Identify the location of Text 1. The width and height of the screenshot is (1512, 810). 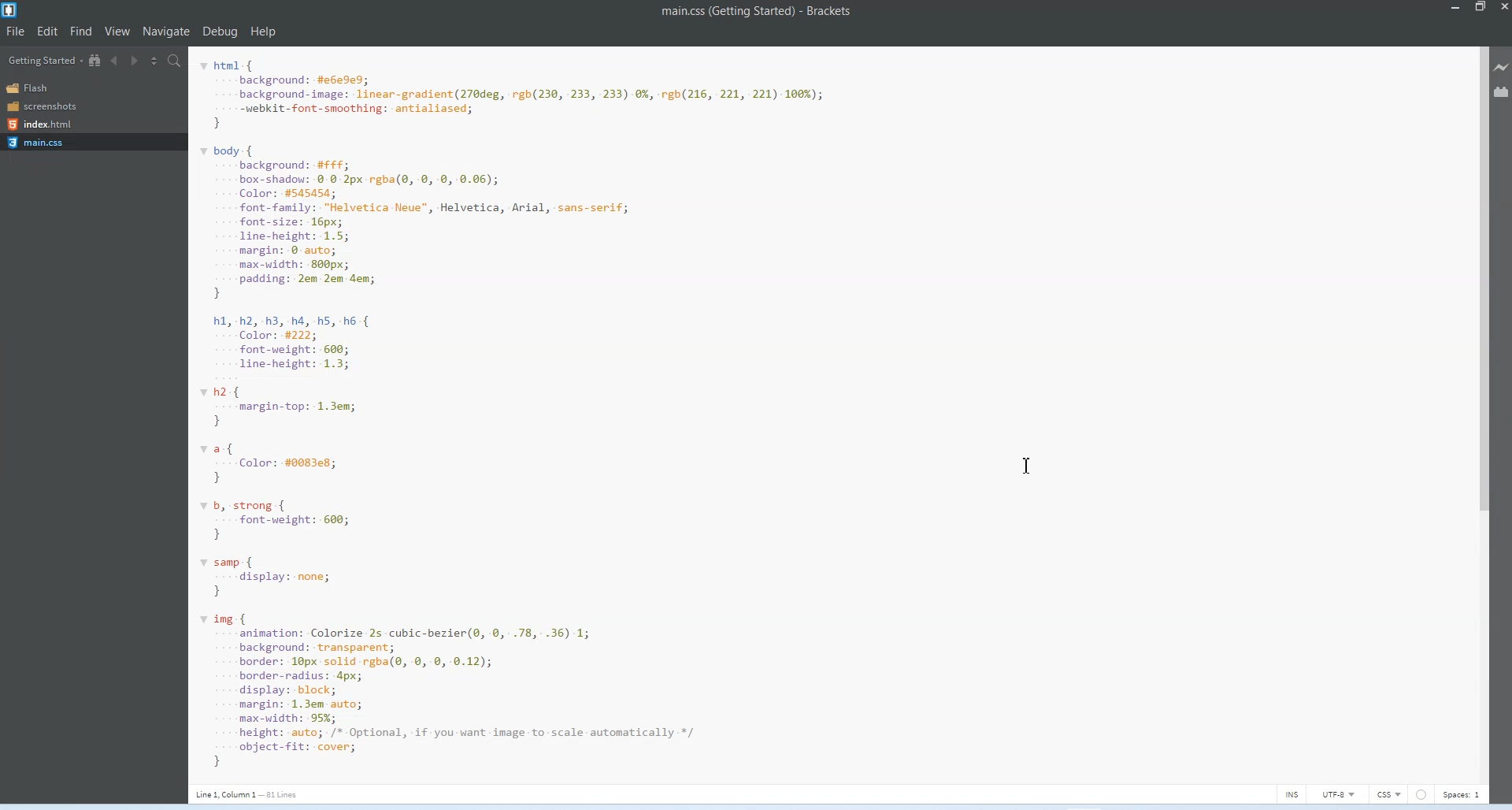
(751, 14).